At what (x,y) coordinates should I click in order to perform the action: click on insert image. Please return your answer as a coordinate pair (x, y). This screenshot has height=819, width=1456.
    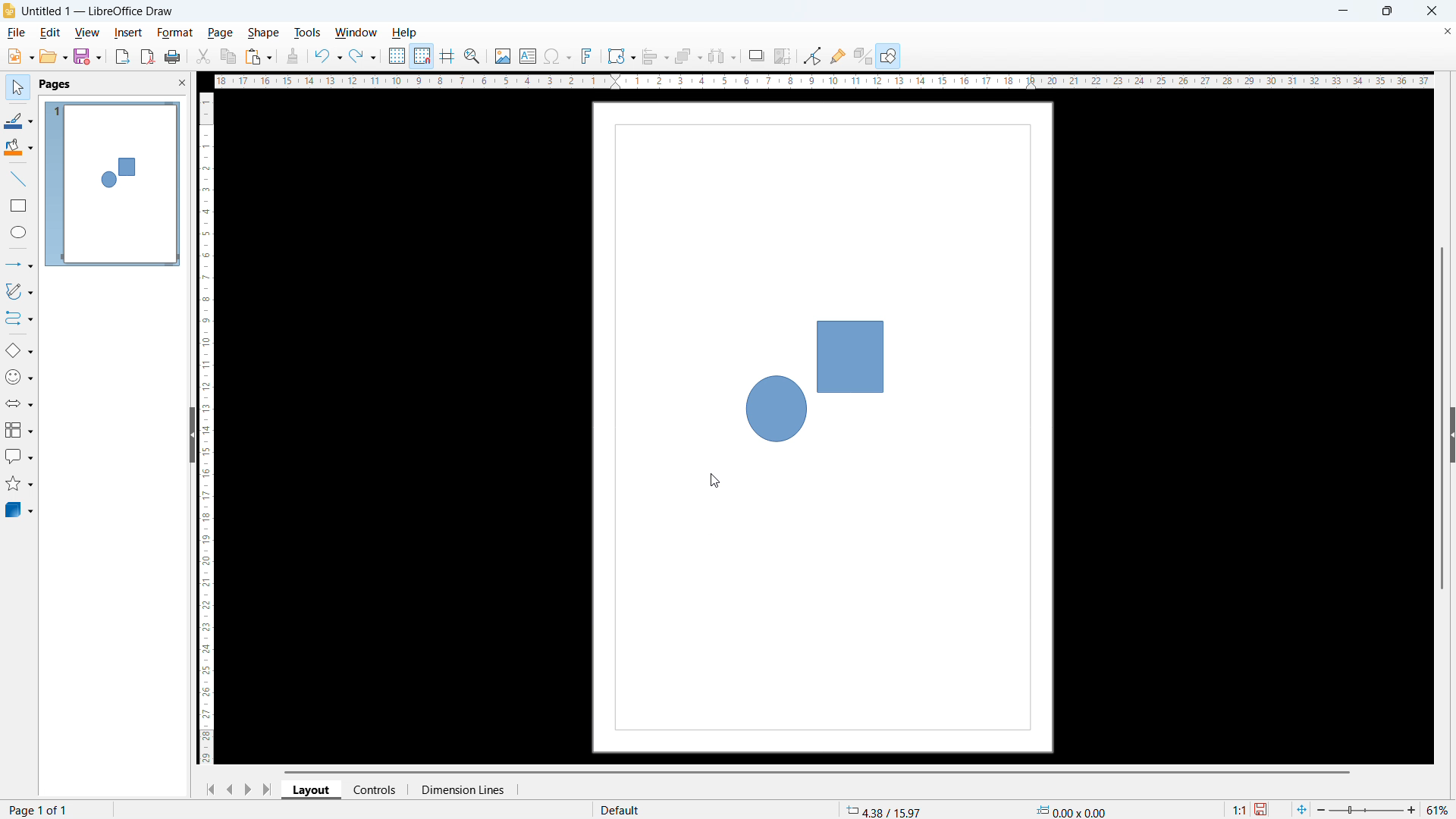
    Looking at the image, I should click on (503, 57).